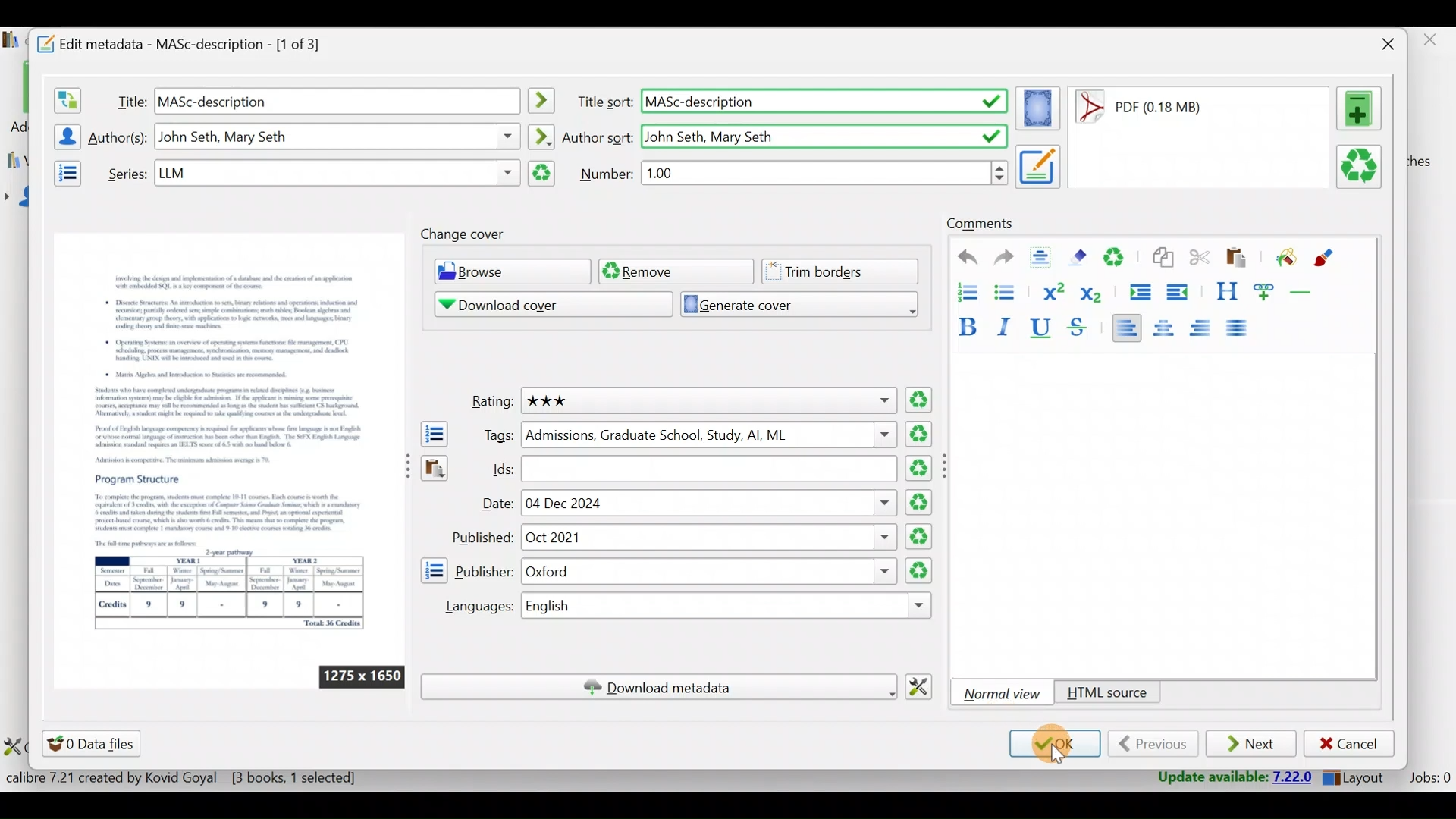  I want to click on Clear all tags, so click(921, 434).